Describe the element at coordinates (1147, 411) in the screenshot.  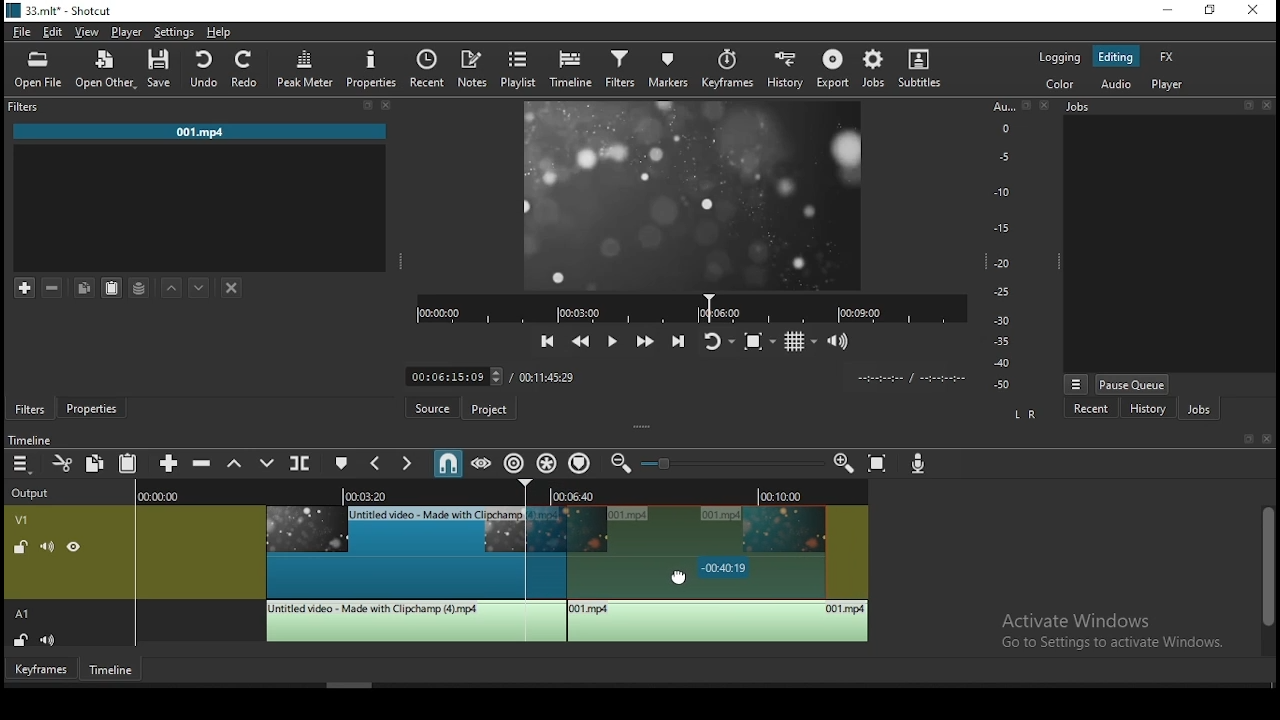
I see `history` at that location.